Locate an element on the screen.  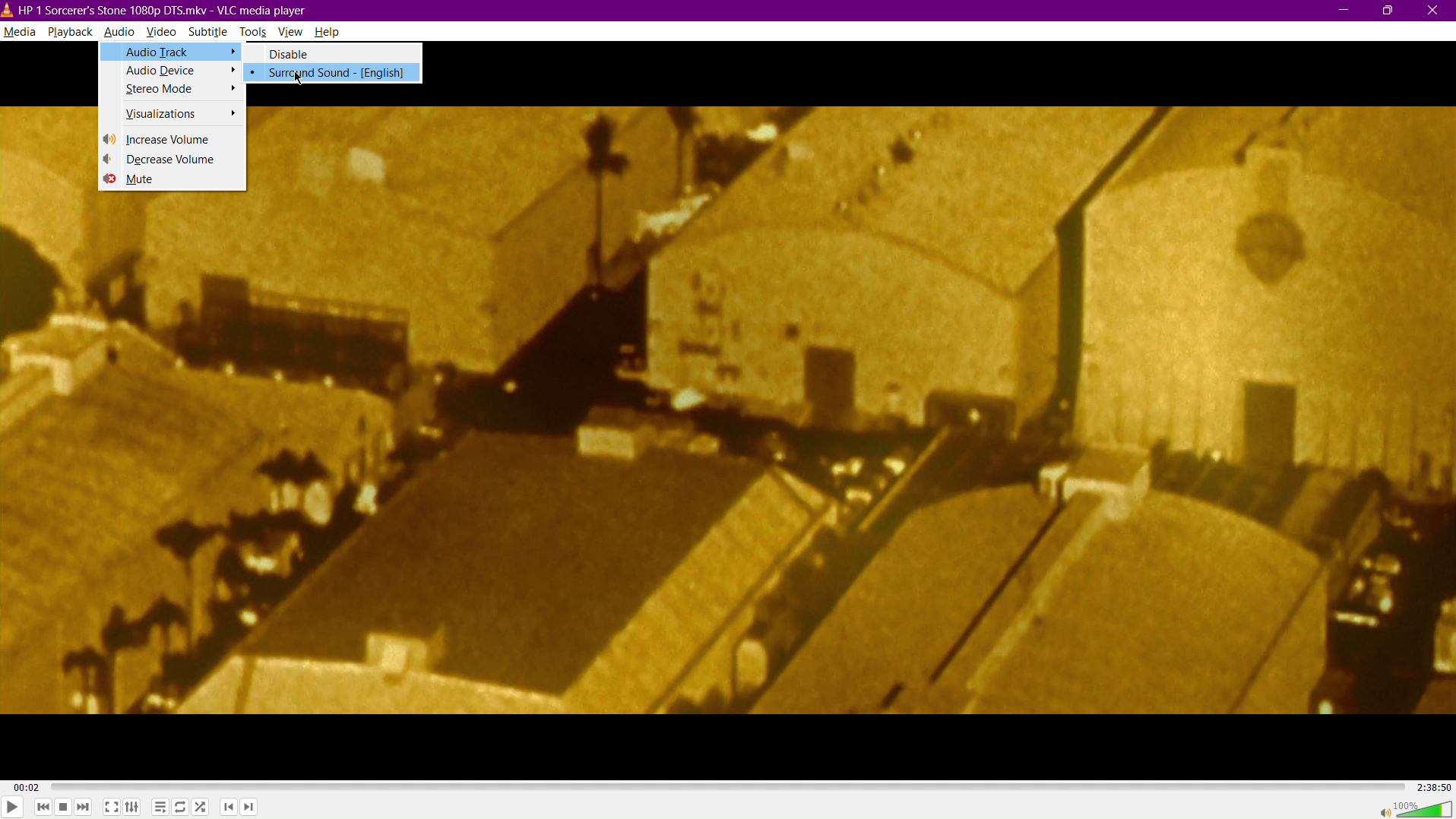
Next Chapter is located at coordinates (248, 809).